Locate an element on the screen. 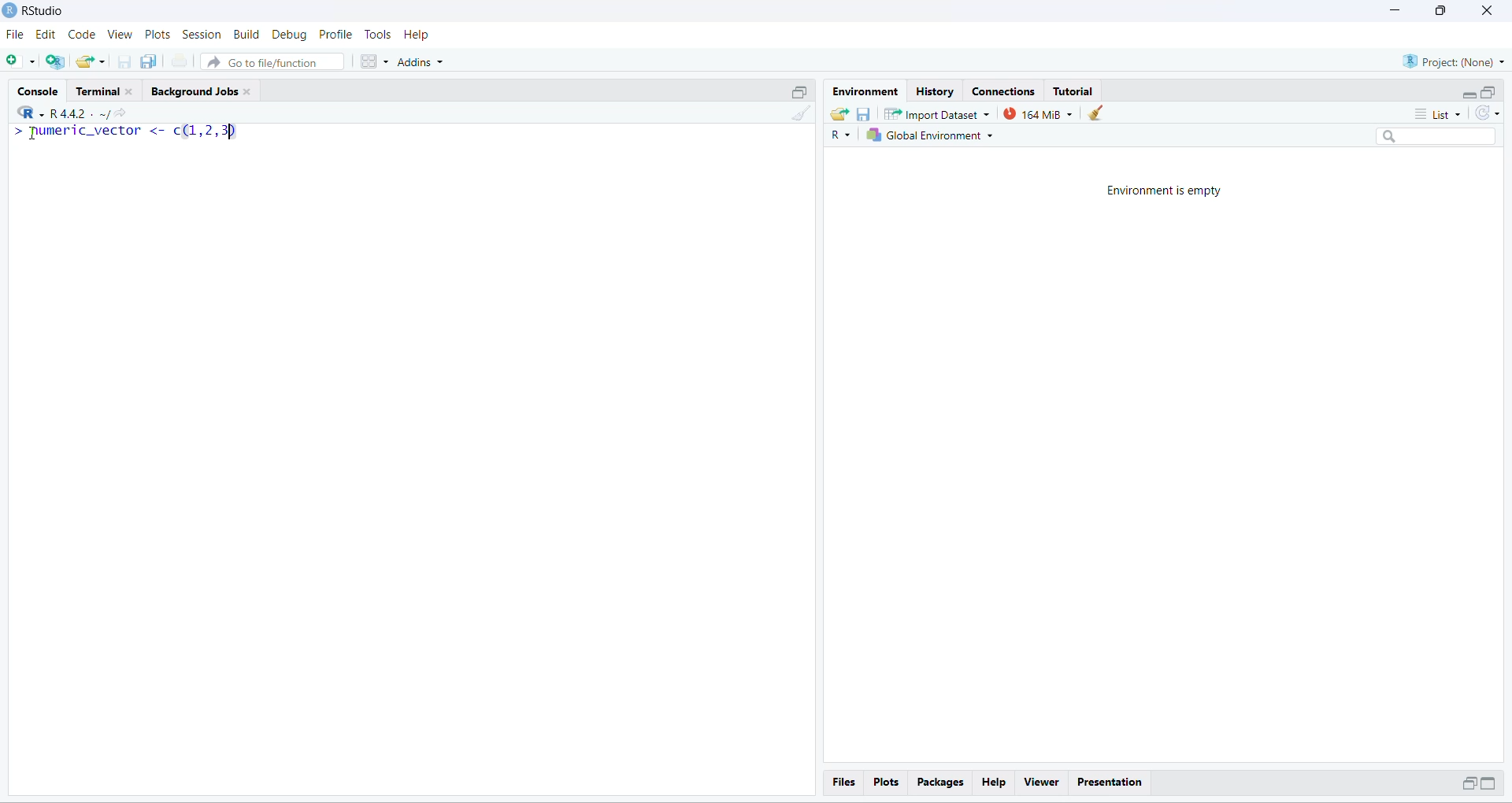 Image resolution: width=1512 pixels, height=803 pixels. Presentation is located at coordinates (1111, 783).